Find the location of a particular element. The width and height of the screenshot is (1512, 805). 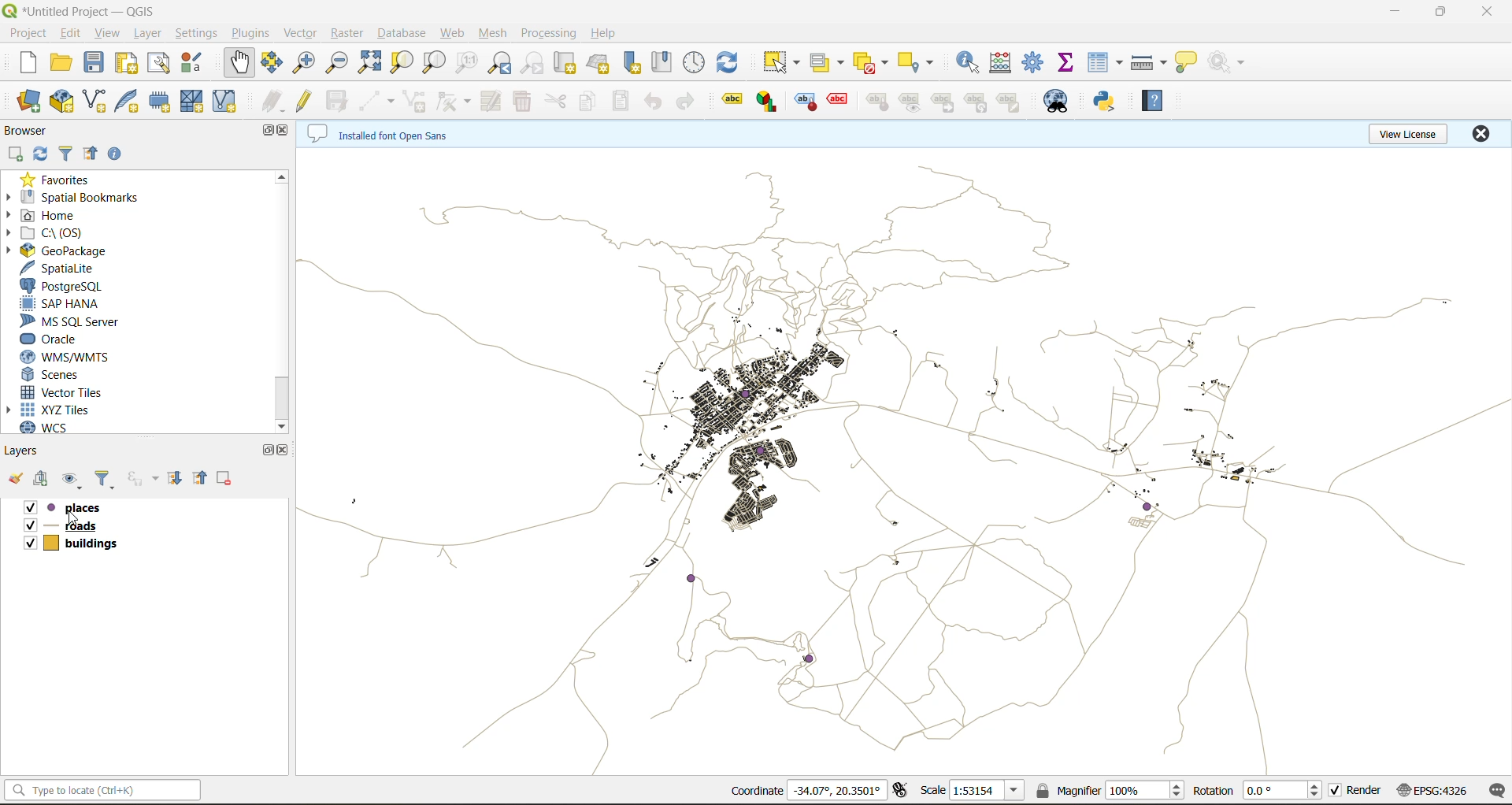

rotation is located at coordinates (1257, 790).